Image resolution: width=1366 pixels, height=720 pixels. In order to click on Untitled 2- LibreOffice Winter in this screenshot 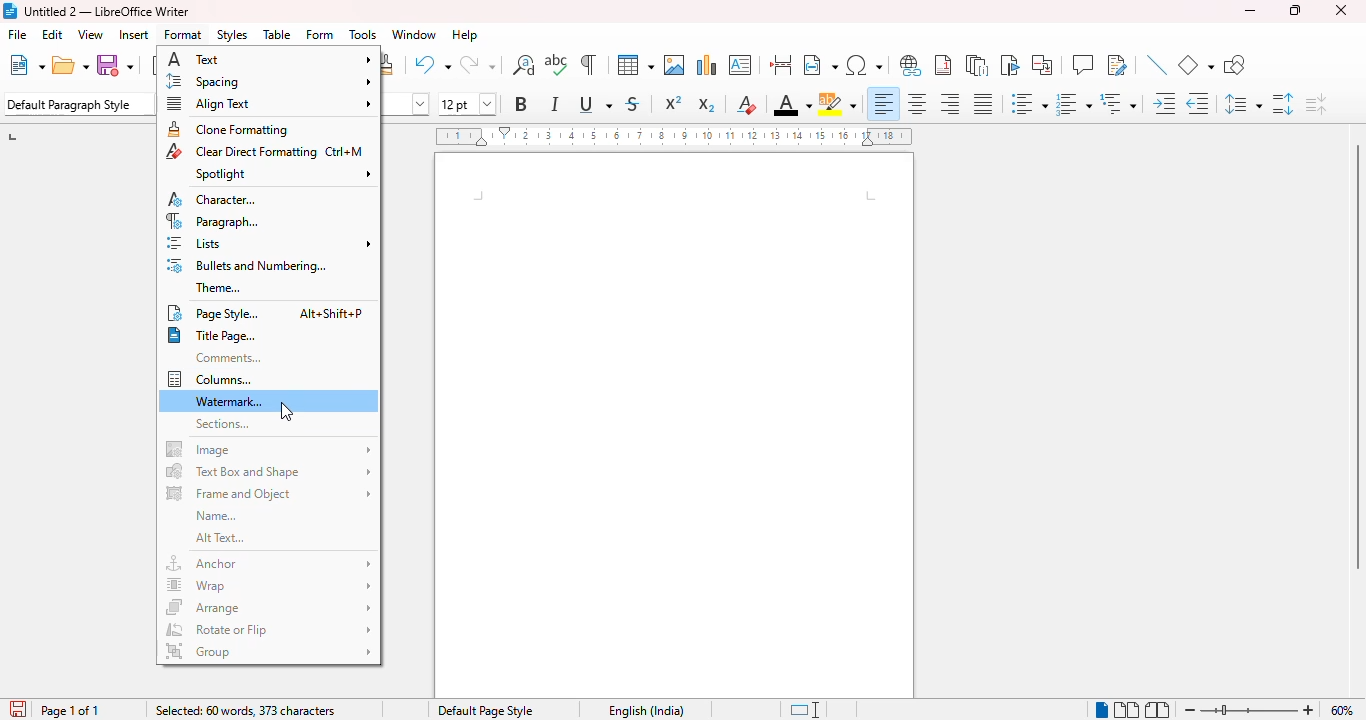, I will do `click(107, 11)`.